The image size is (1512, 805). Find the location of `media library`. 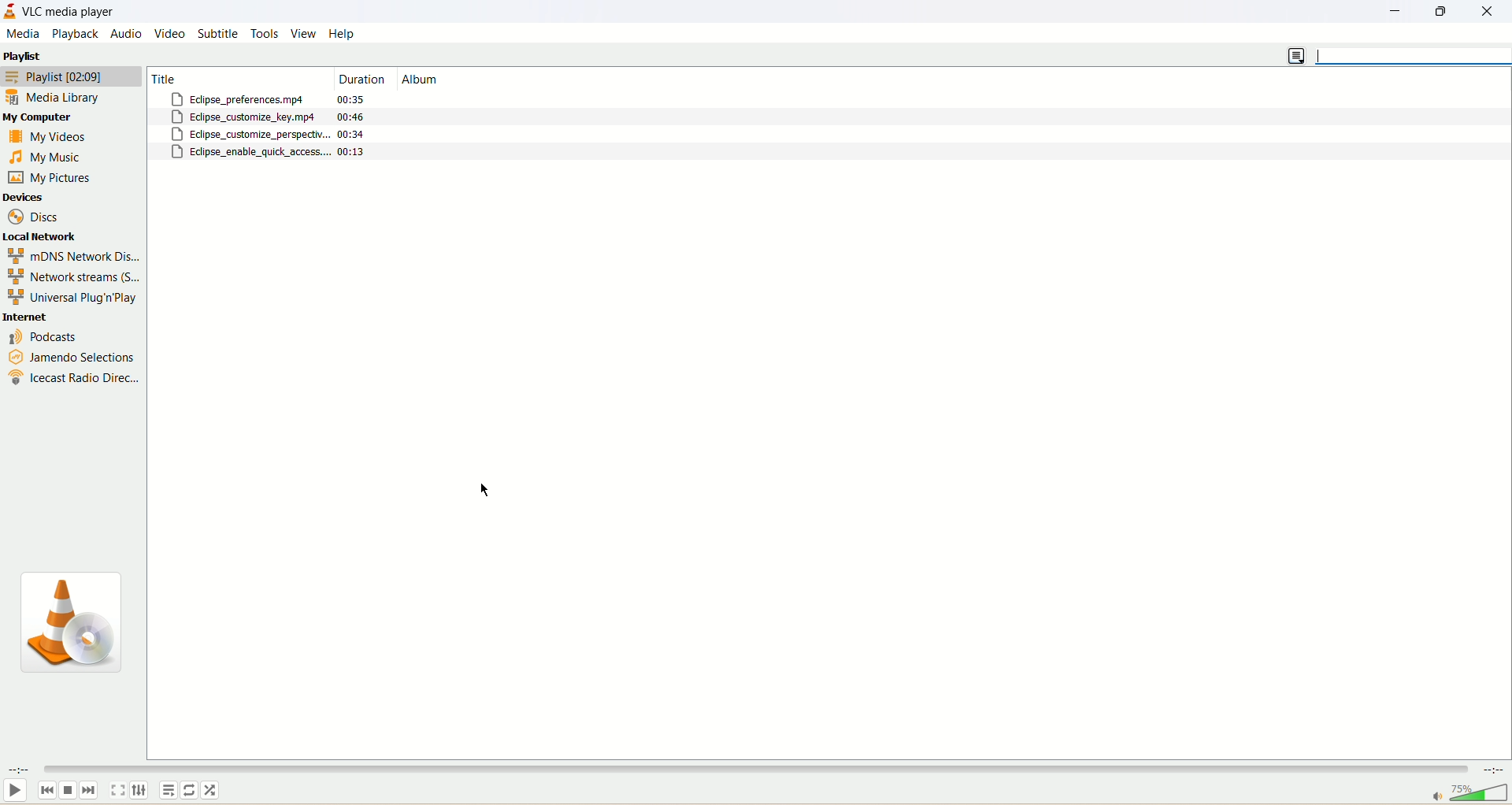

media library is located at coordinates (52, 97).